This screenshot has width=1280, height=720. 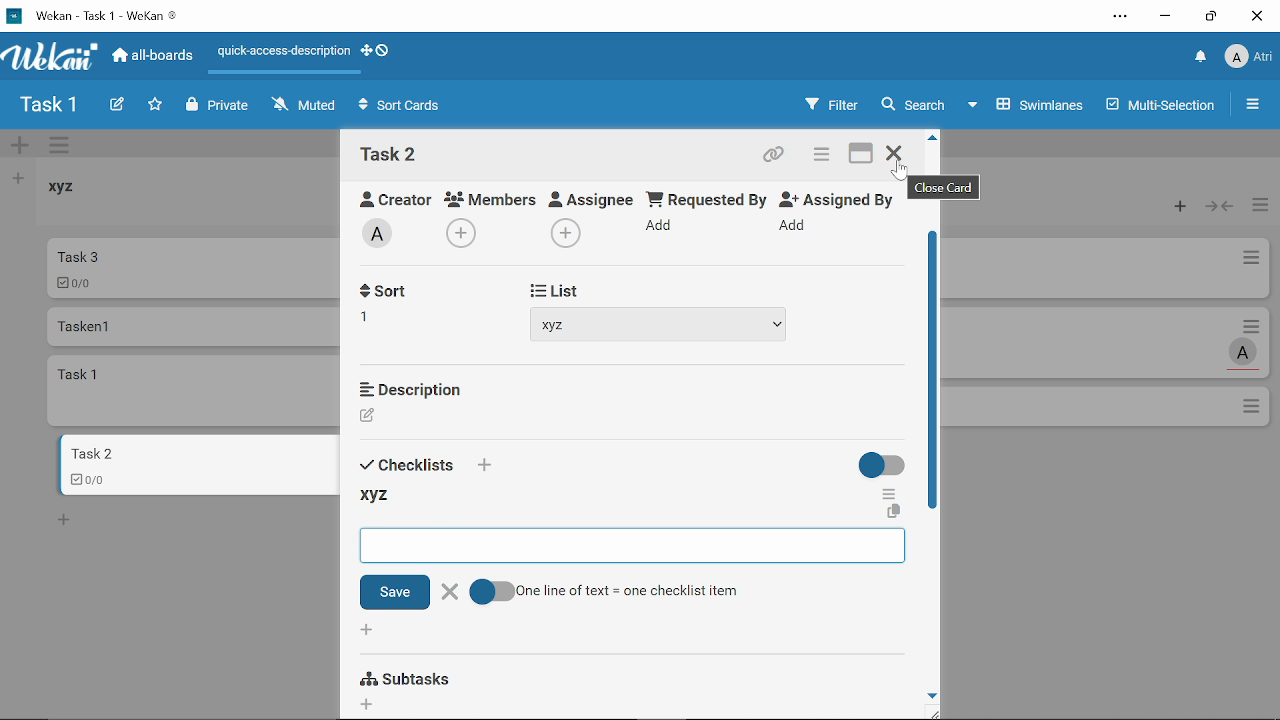 I want to click on Manage card actions, so click(x=1260, y=207).